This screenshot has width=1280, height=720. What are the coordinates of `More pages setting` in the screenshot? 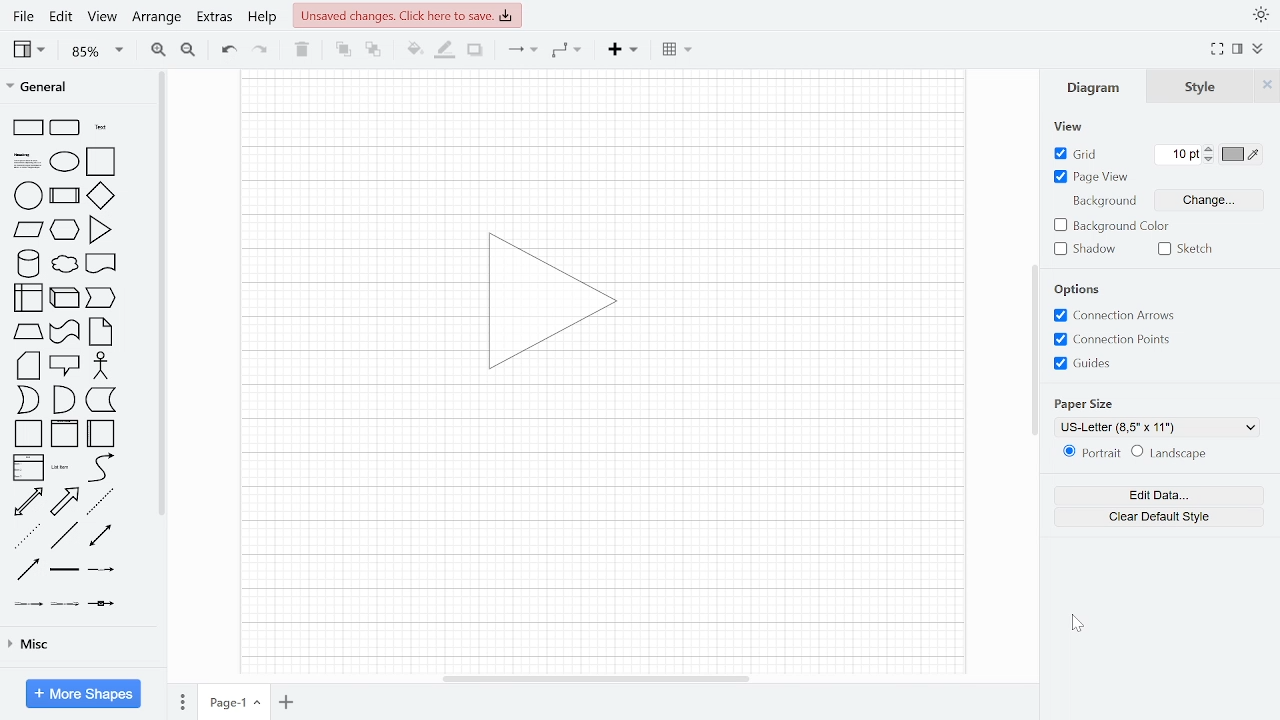 It's located at (183, 701).